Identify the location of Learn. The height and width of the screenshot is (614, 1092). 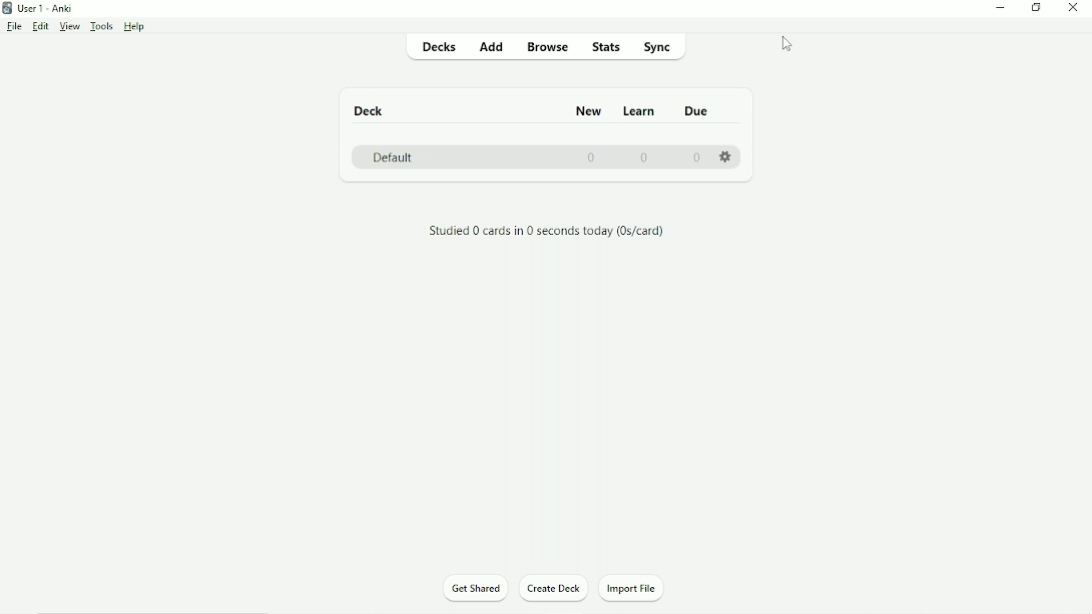
(639, 110).